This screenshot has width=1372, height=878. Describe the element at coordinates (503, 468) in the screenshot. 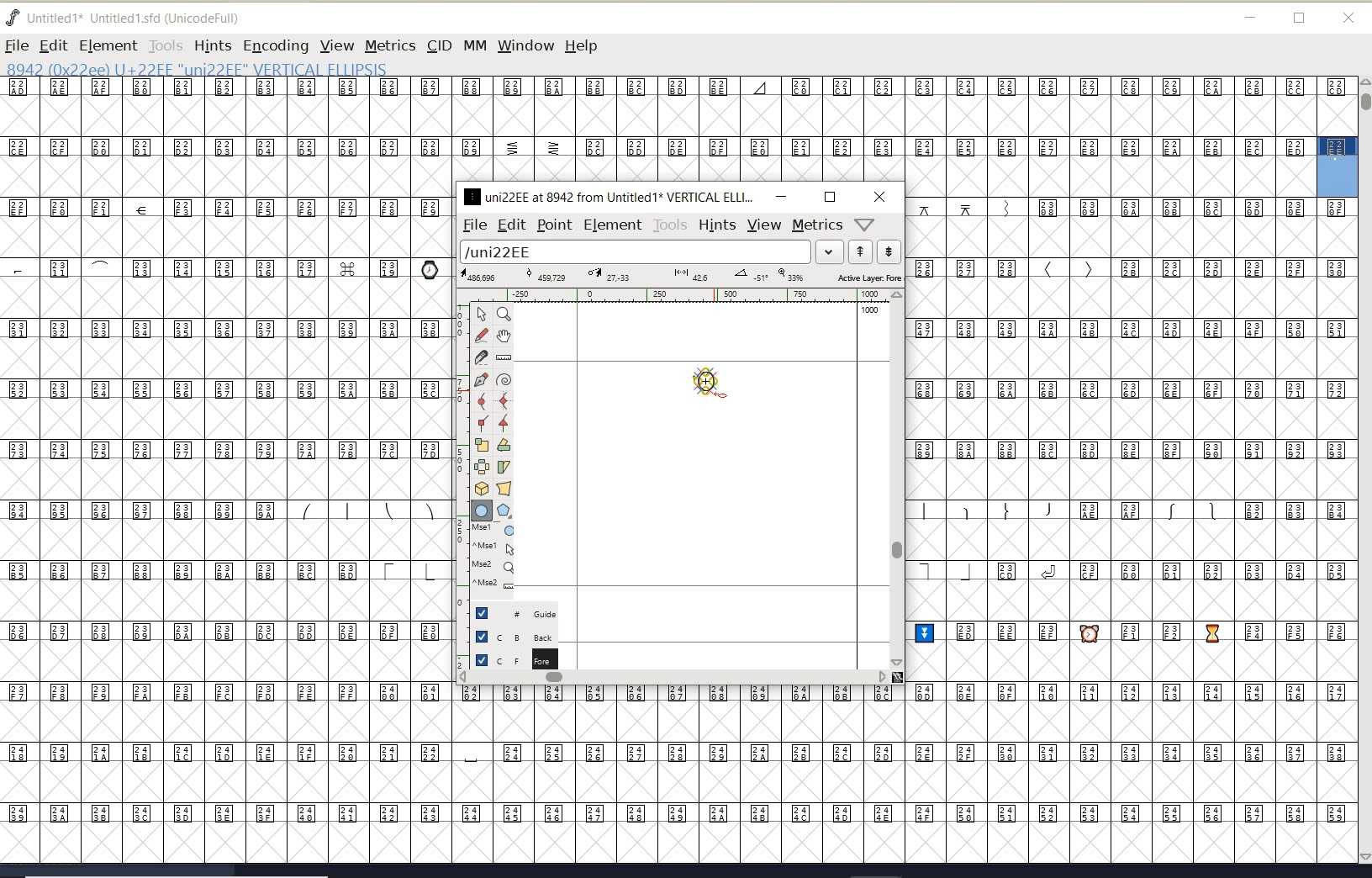

I see `skew the selection` at that location.